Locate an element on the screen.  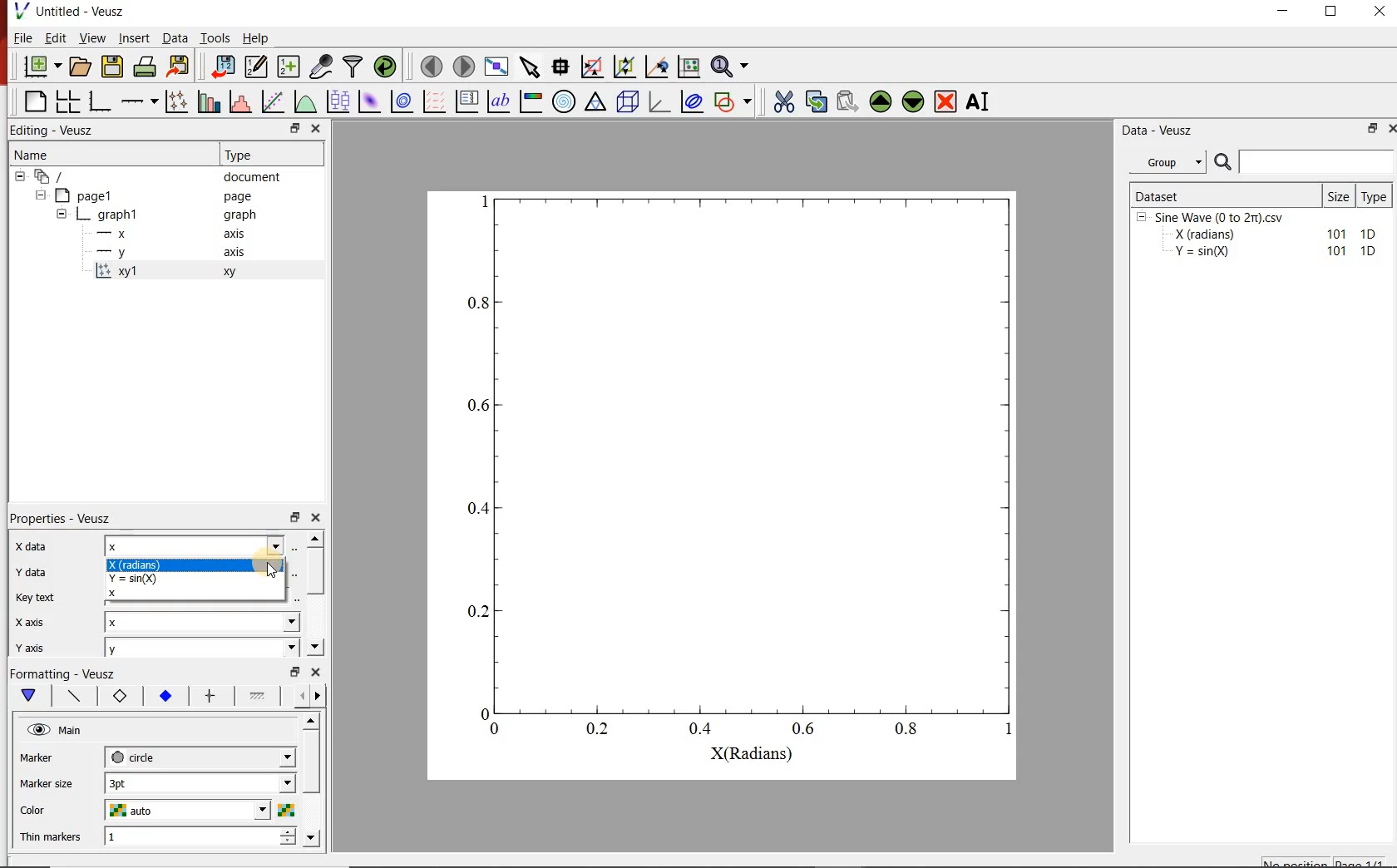
Horizontal scrollbar is located at coordinates (313, 778).